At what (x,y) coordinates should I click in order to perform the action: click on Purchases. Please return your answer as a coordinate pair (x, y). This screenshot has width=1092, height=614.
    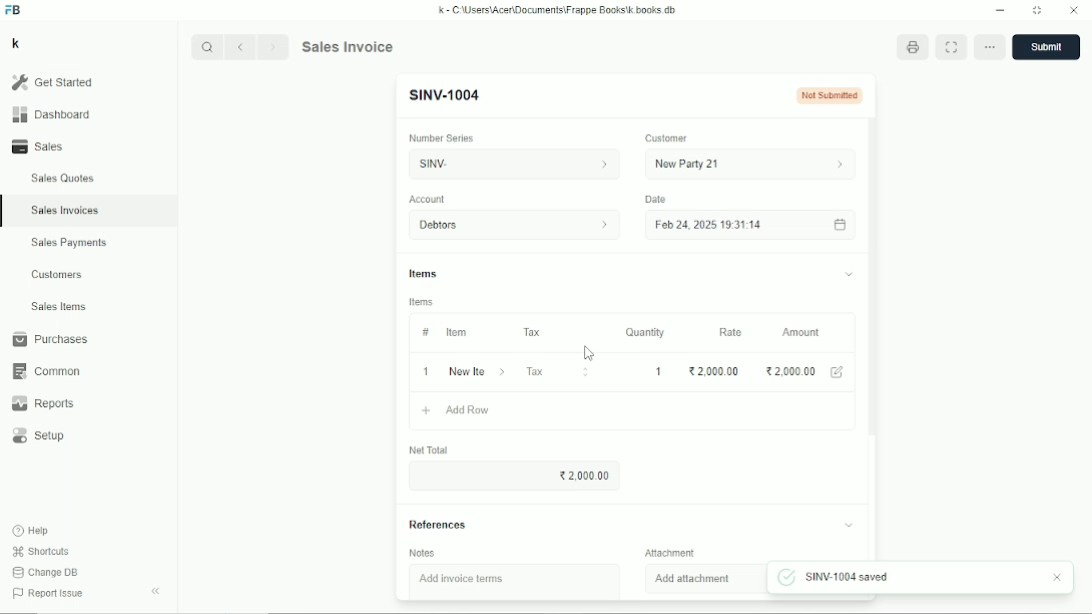
    Looking at the image, I should click on (49, 339).